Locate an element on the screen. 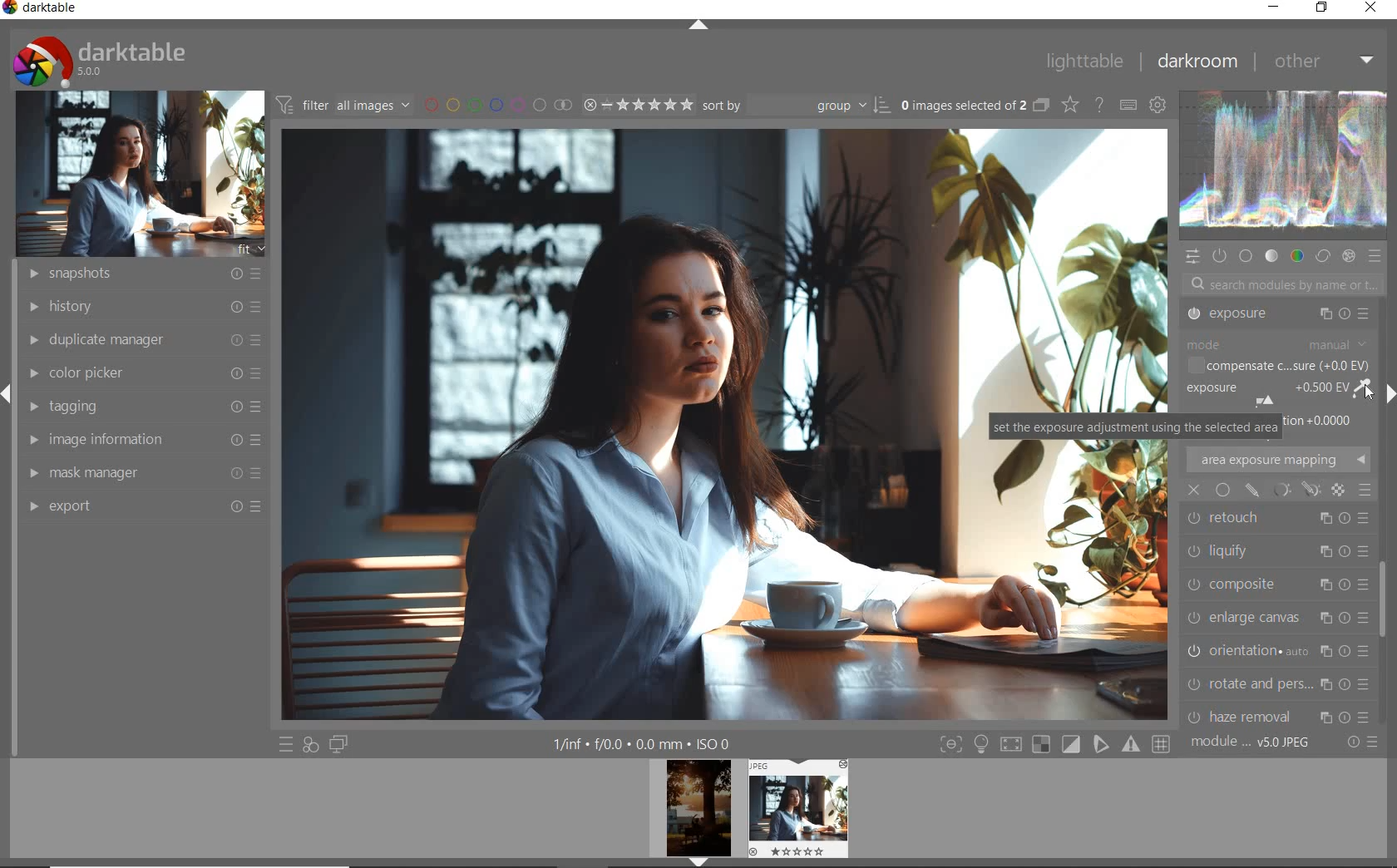 This screenshot has height=868, width=1397. ROTATE AND is located at coordinates (1275, 582).